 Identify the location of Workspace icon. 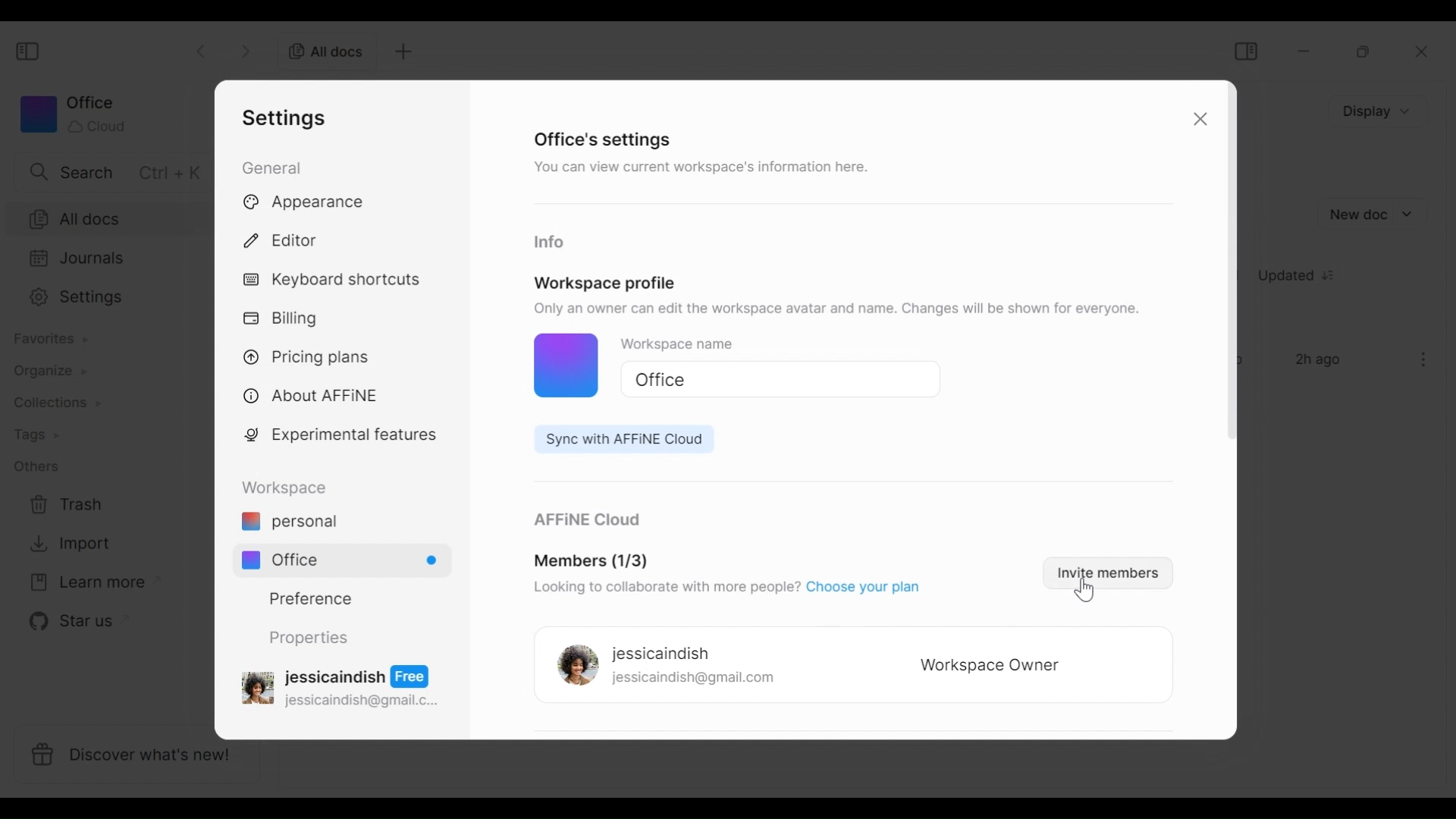
(72, 114).